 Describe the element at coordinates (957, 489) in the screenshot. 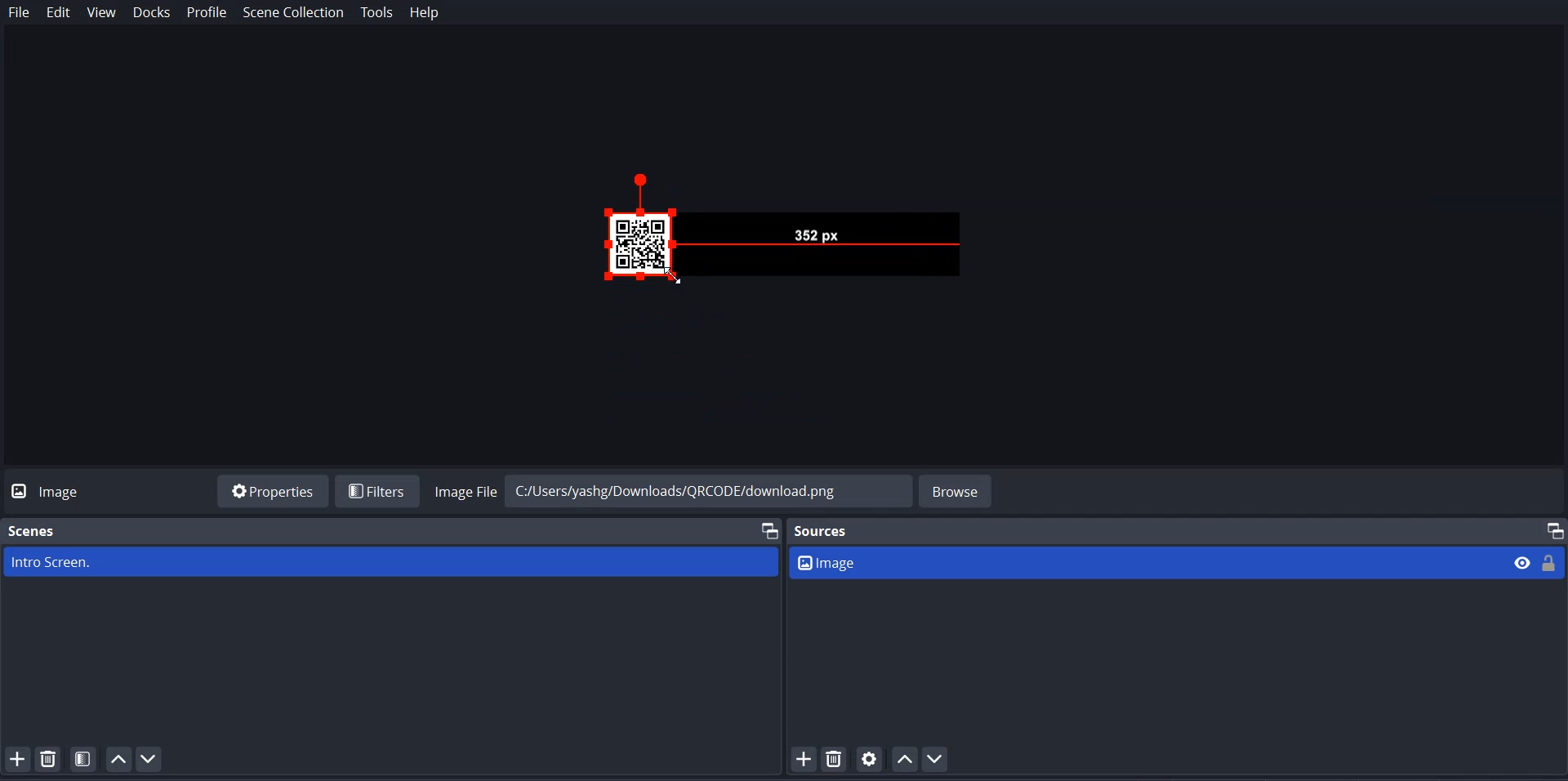

I see `Browse` at that location.